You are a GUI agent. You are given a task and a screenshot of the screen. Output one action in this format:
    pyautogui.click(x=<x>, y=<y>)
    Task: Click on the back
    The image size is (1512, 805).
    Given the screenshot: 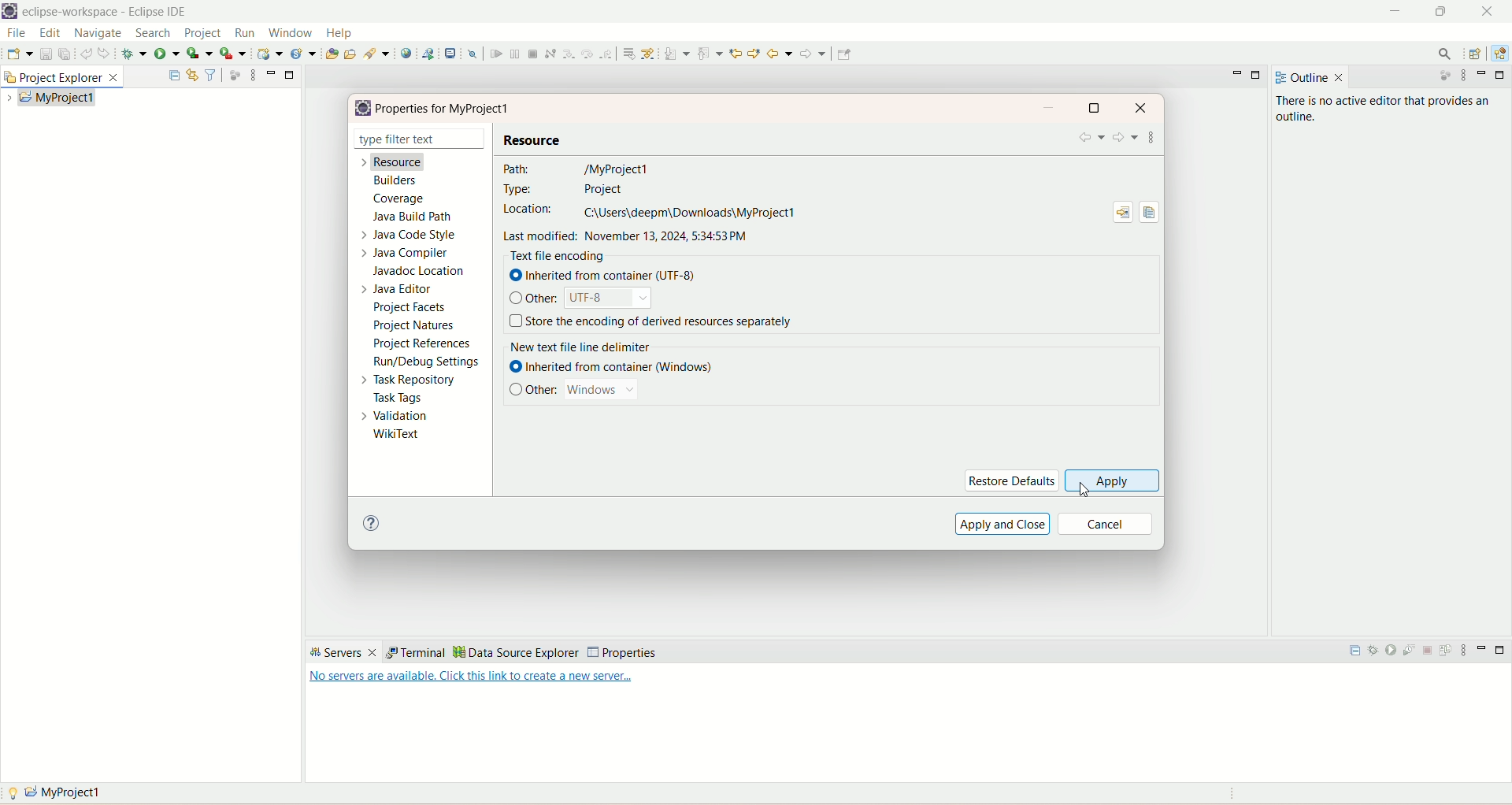 What is the action you would take?
    pyautogui.click(x=1093, y=139)
    